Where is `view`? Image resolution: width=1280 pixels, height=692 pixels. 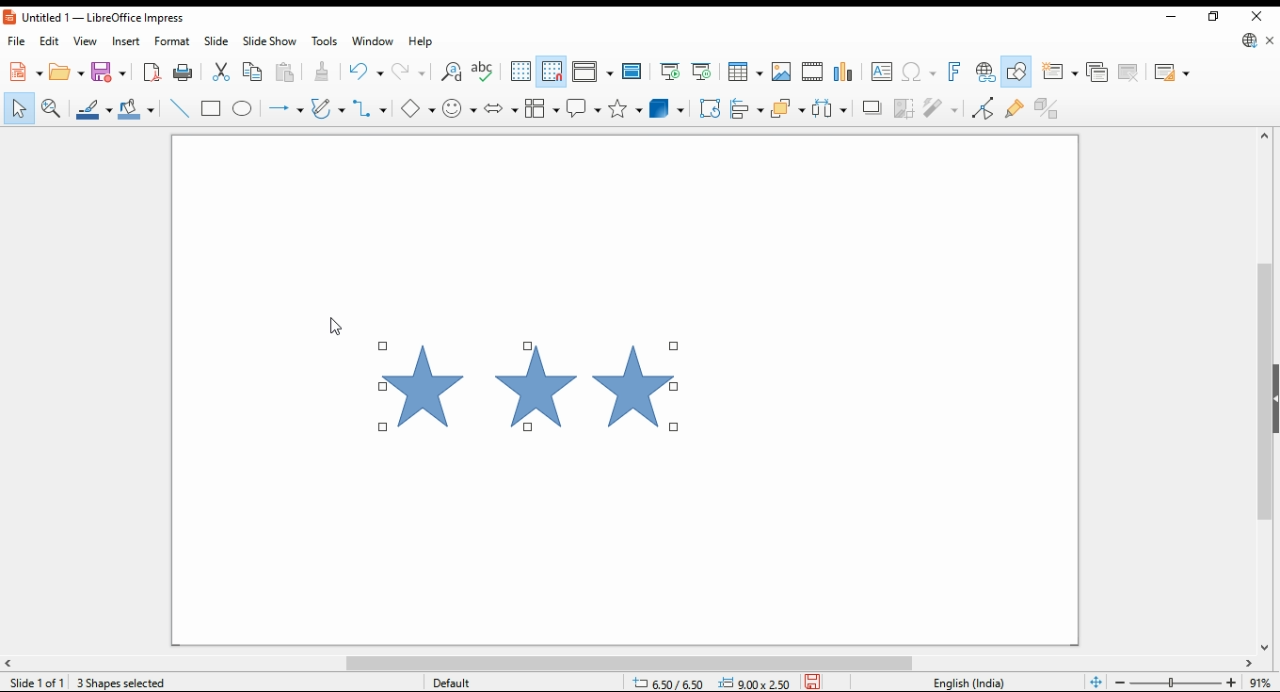 view is located at coordinates (86, 41).